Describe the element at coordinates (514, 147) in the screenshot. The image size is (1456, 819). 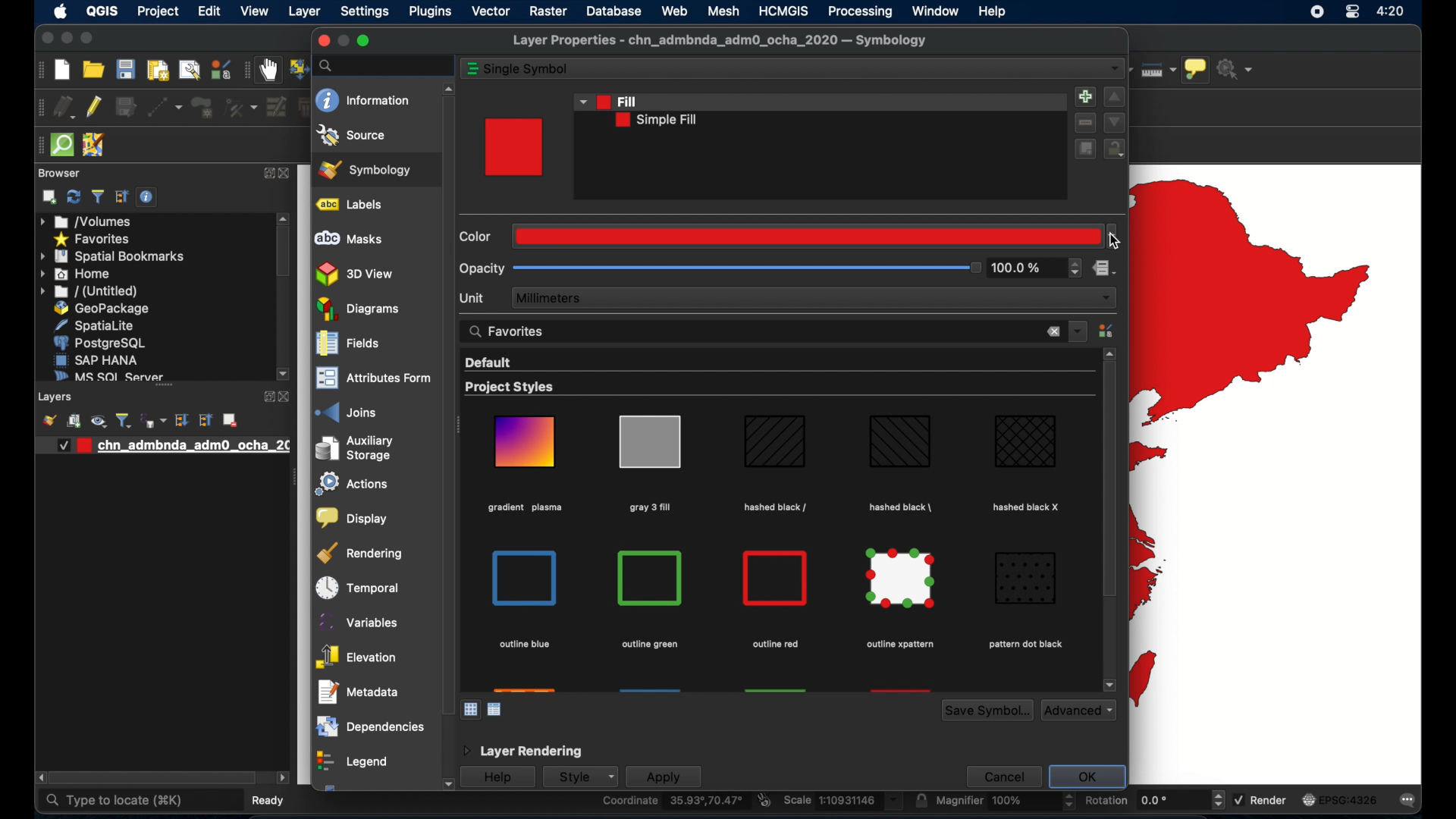
I see `red color preview` at that location.